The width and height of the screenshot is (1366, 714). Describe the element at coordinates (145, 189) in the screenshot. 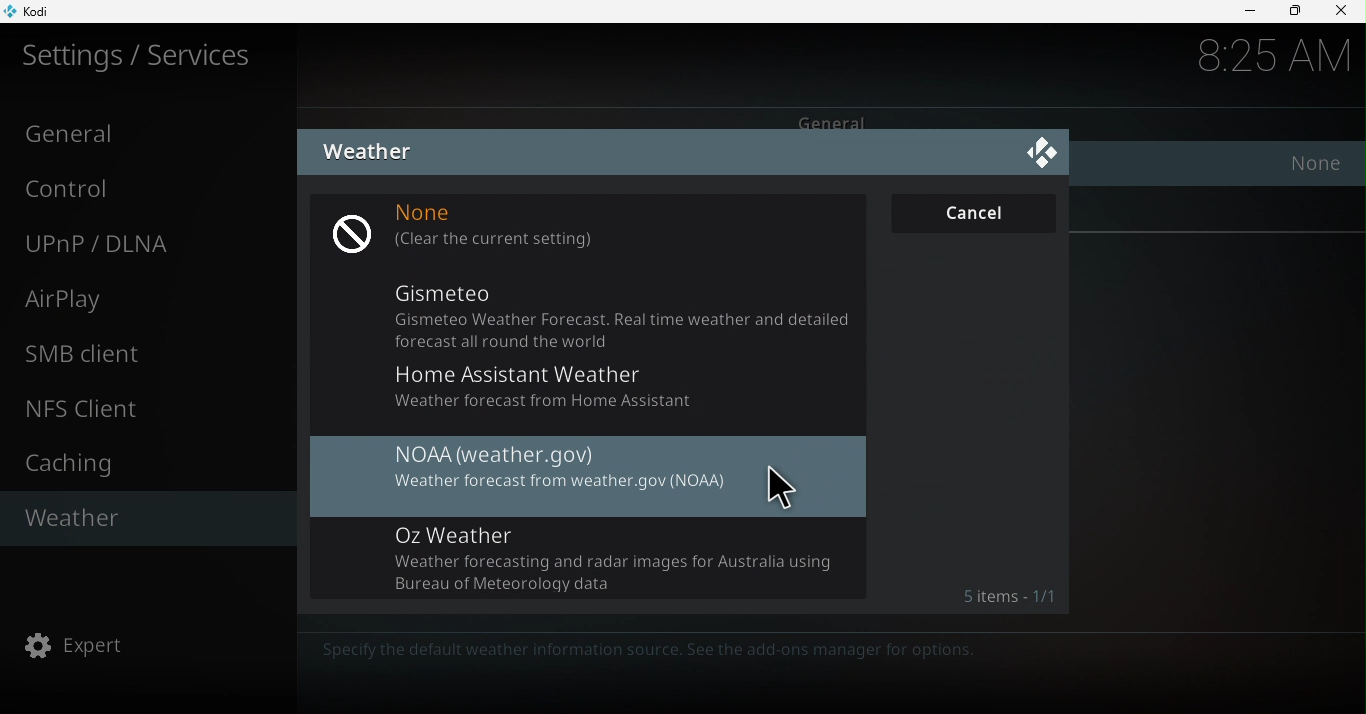

I see `Control` at that location.